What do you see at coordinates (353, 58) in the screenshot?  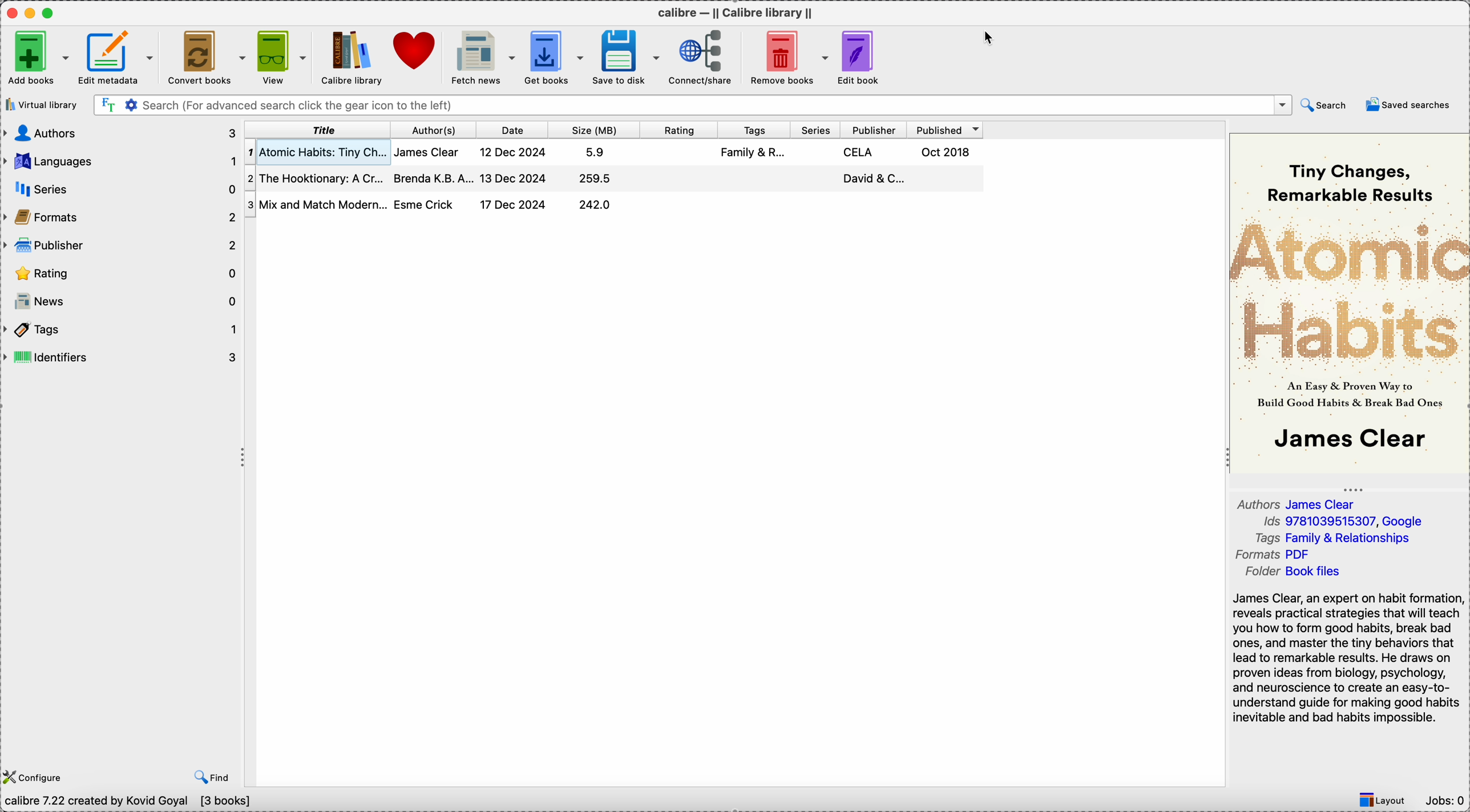 I see `Calibre` at bounding box center [353, 58].